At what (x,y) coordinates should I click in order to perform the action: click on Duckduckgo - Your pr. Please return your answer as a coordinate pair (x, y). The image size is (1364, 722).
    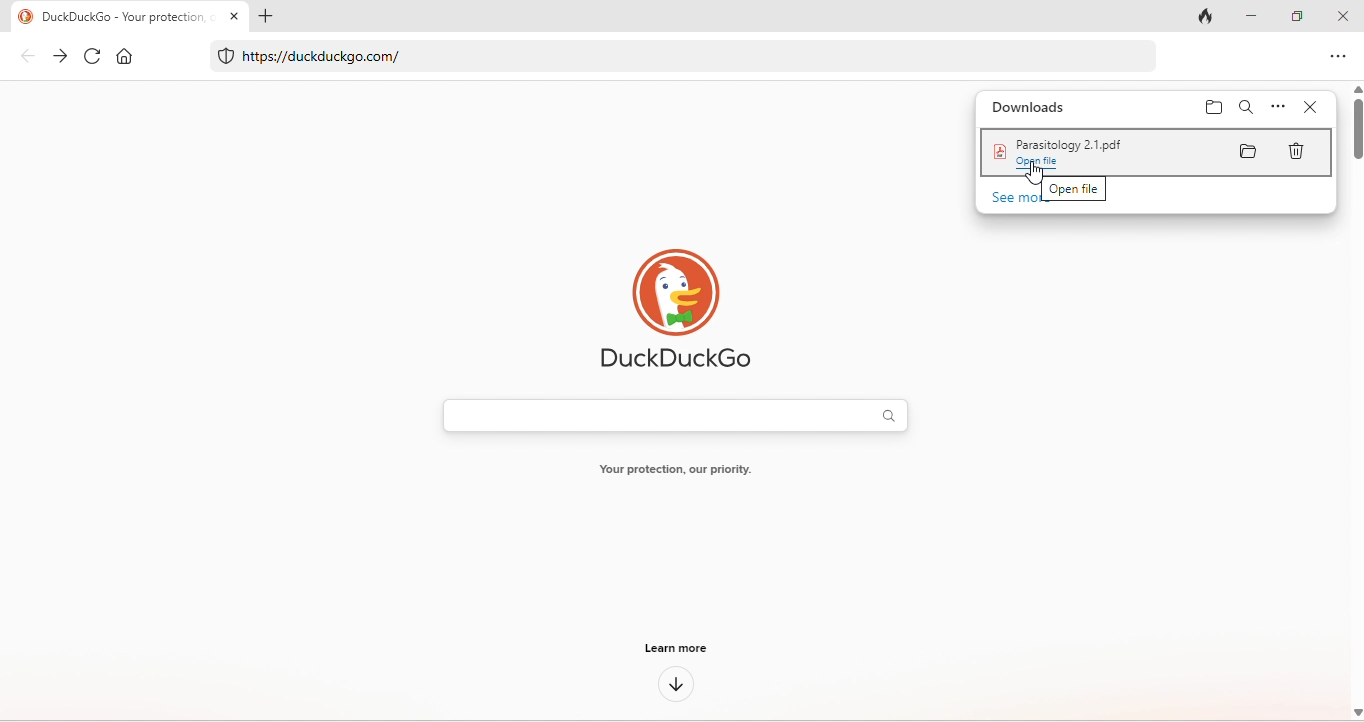
    Looking at the image, I should click on (126, 16).